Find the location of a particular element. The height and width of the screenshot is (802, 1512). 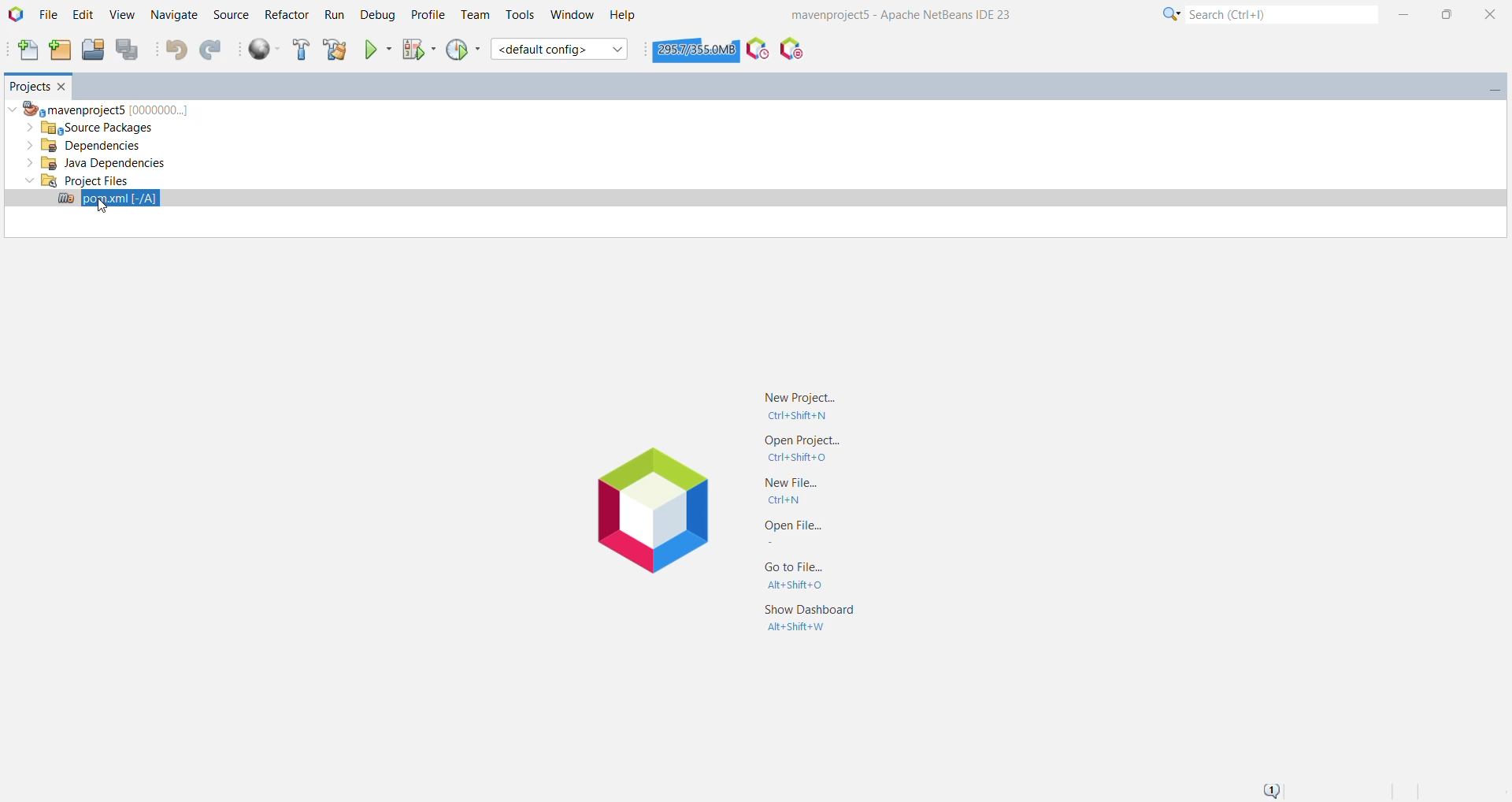

Search Bar is located at coordinates (1266, 13).